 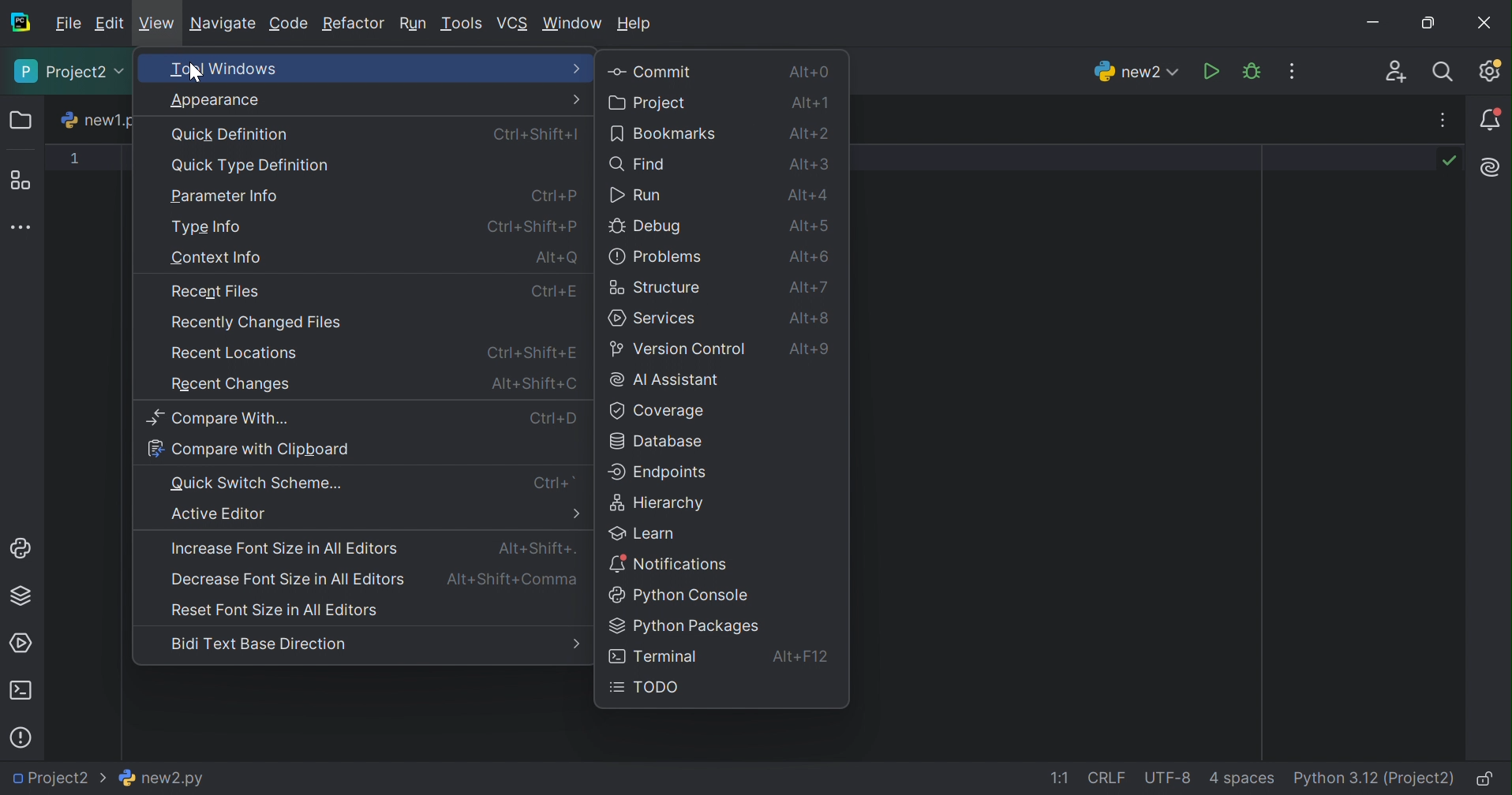 I want to click on Services, so click(x=652, y=318).